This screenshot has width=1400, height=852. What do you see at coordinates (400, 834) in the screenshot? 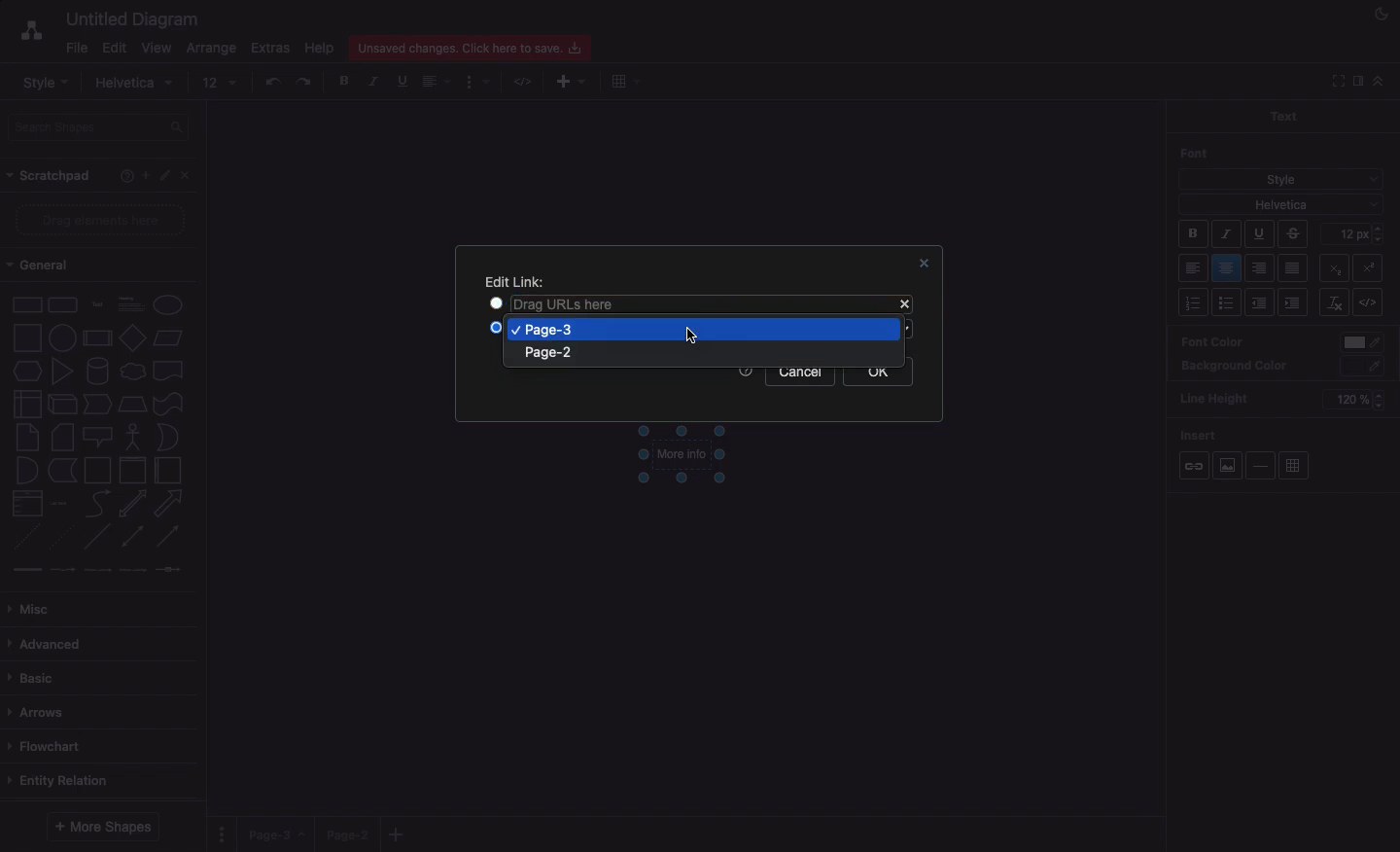
I see `Add` at bounding box center [400, 834].